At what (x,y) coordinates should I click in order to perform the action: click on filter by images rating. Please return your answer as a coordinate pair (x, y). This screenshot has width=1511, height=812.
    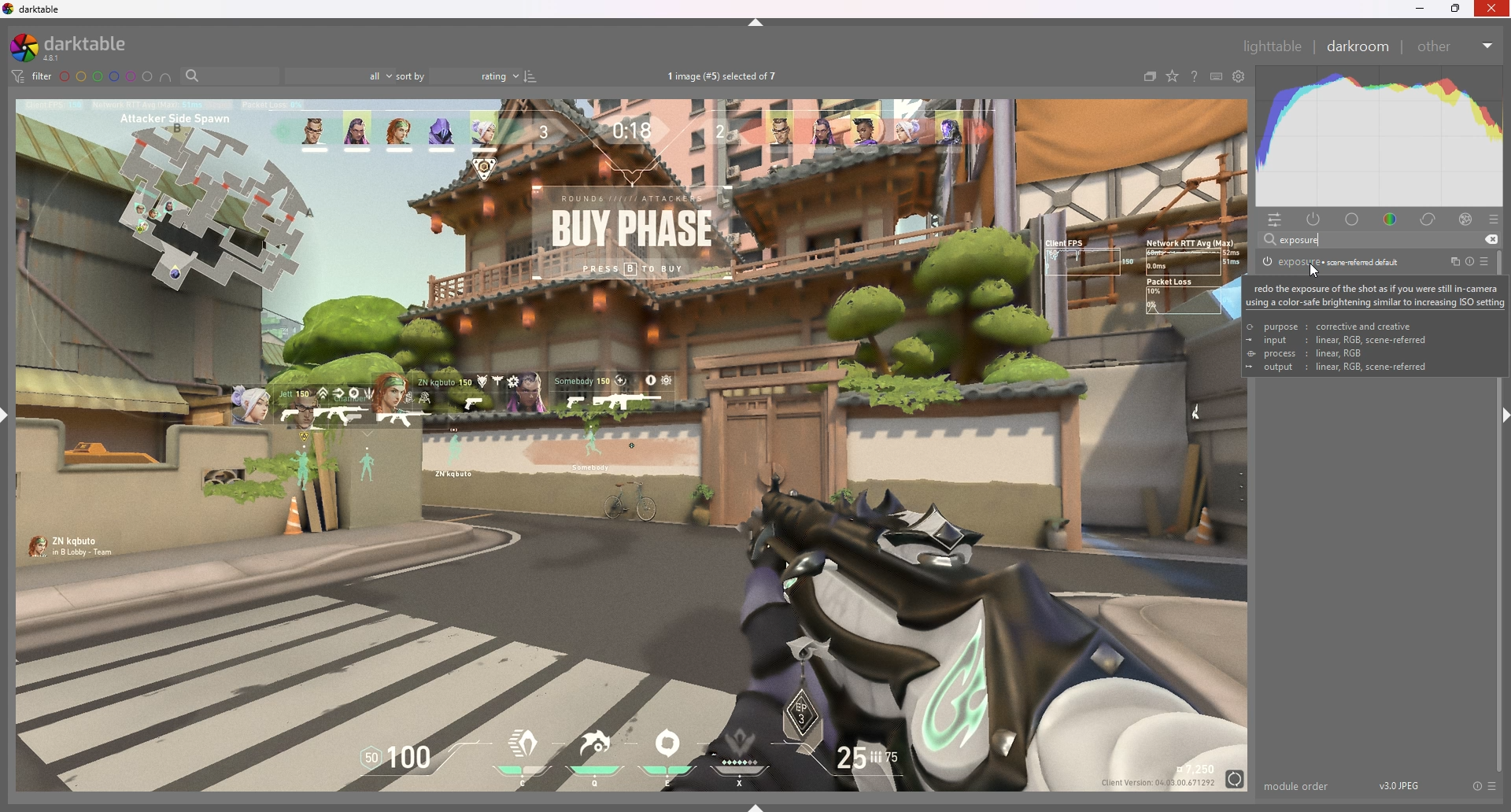
    Looking at the image, I should click on (340, 76).